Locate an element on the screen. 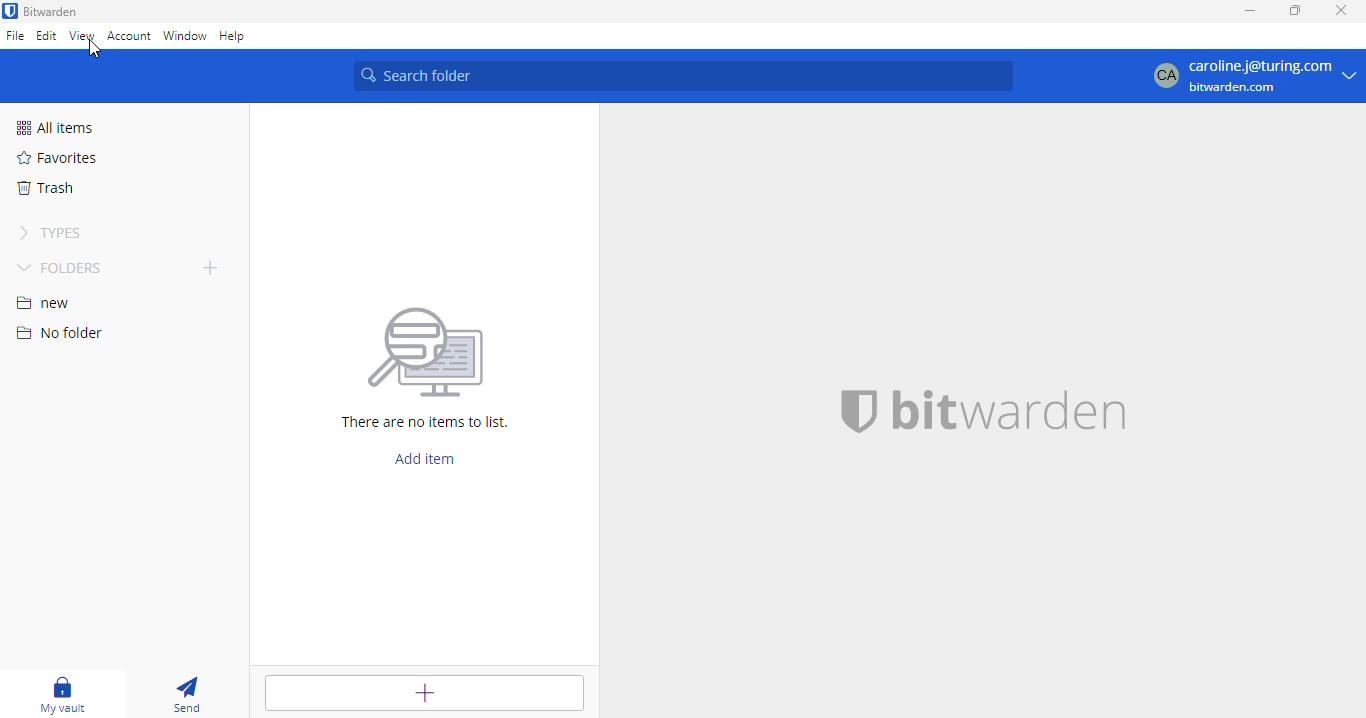 The height and width of the screenshot is (718, 1366). add item is located at coordinates (423, 693).